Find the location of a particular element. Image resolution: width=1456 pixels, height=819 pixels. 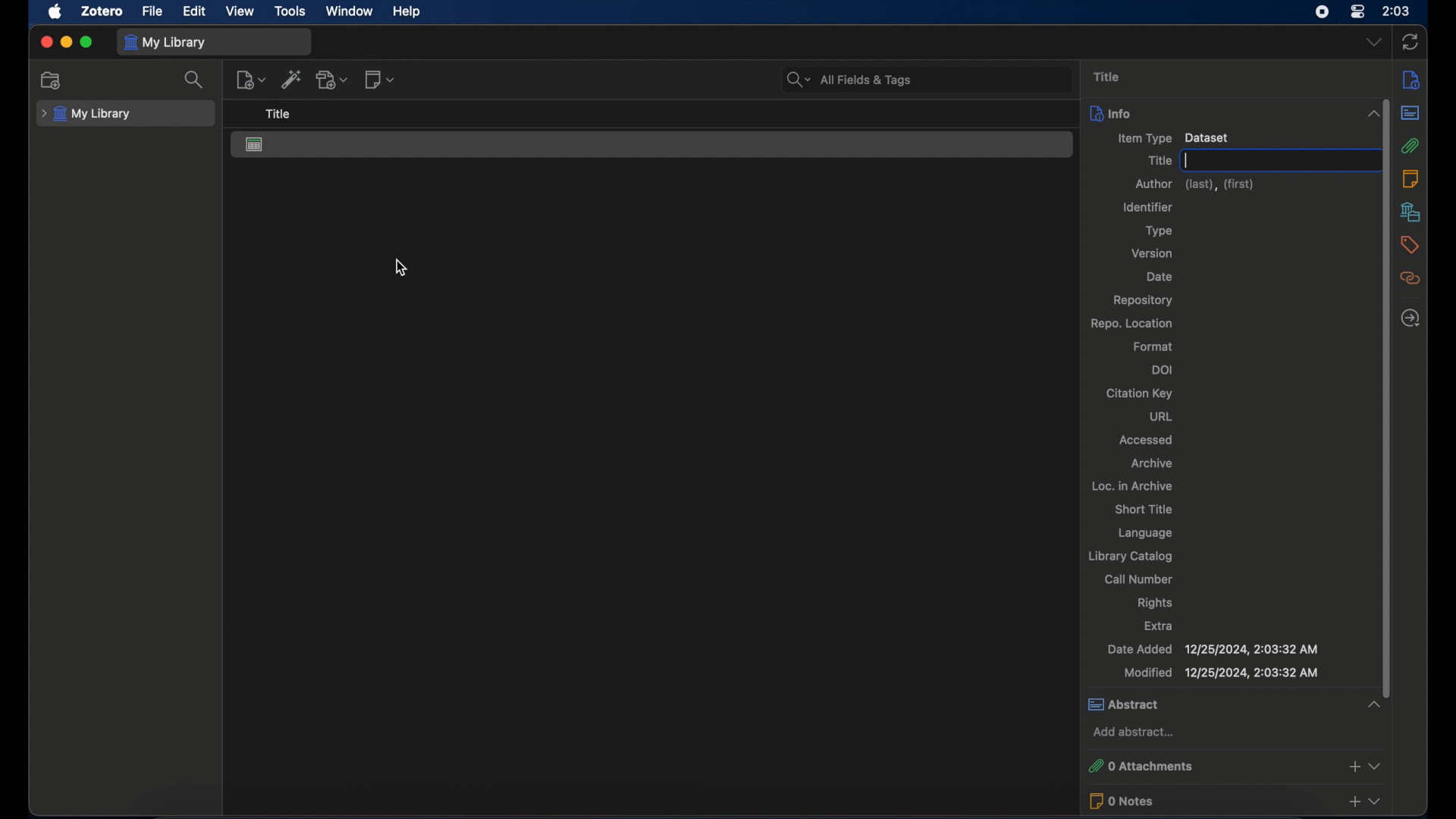

edit is located at coordinates (194, 12).